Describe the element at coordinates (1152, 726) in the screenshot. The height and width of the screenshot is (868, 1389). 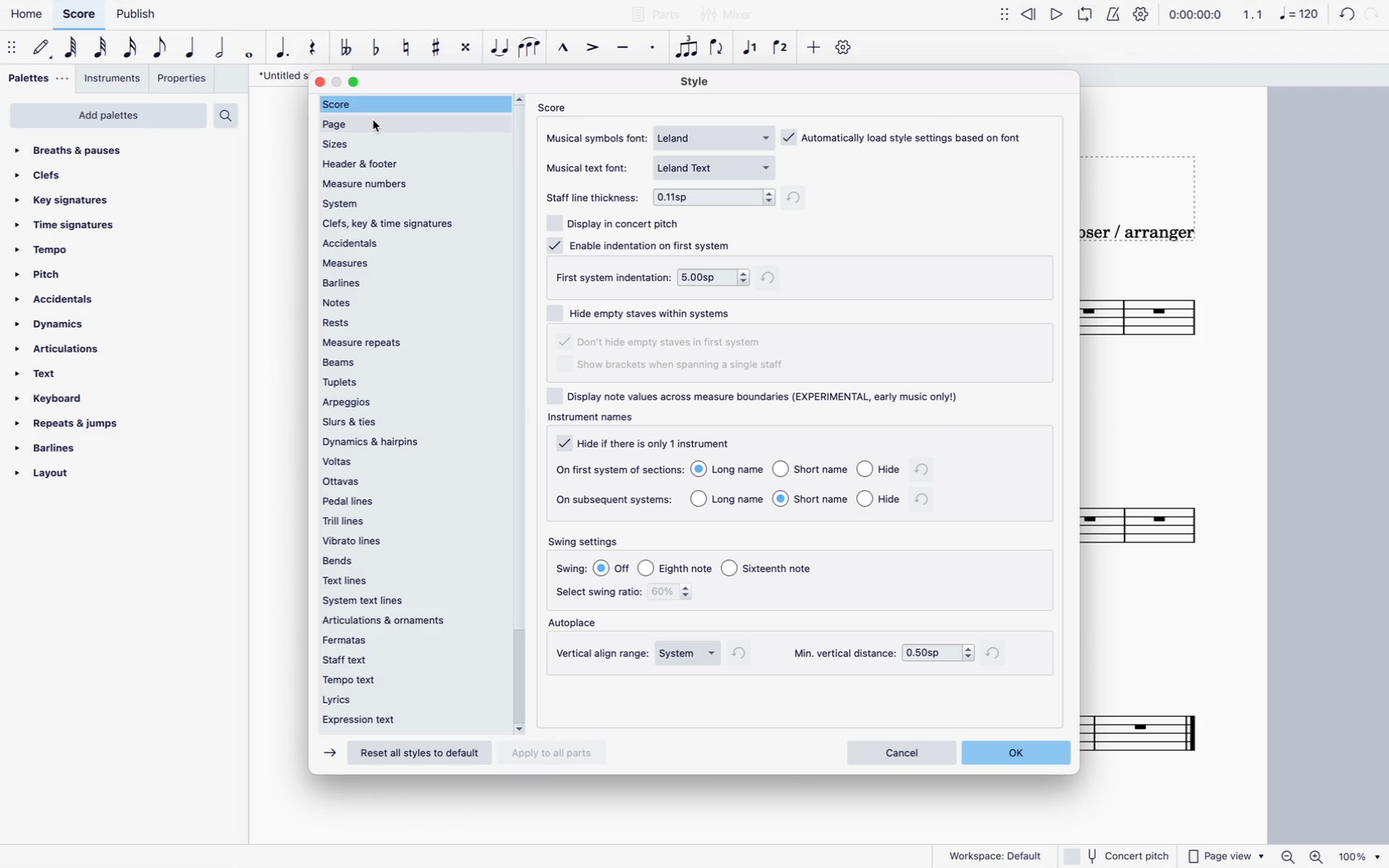
I see `score` at that location.